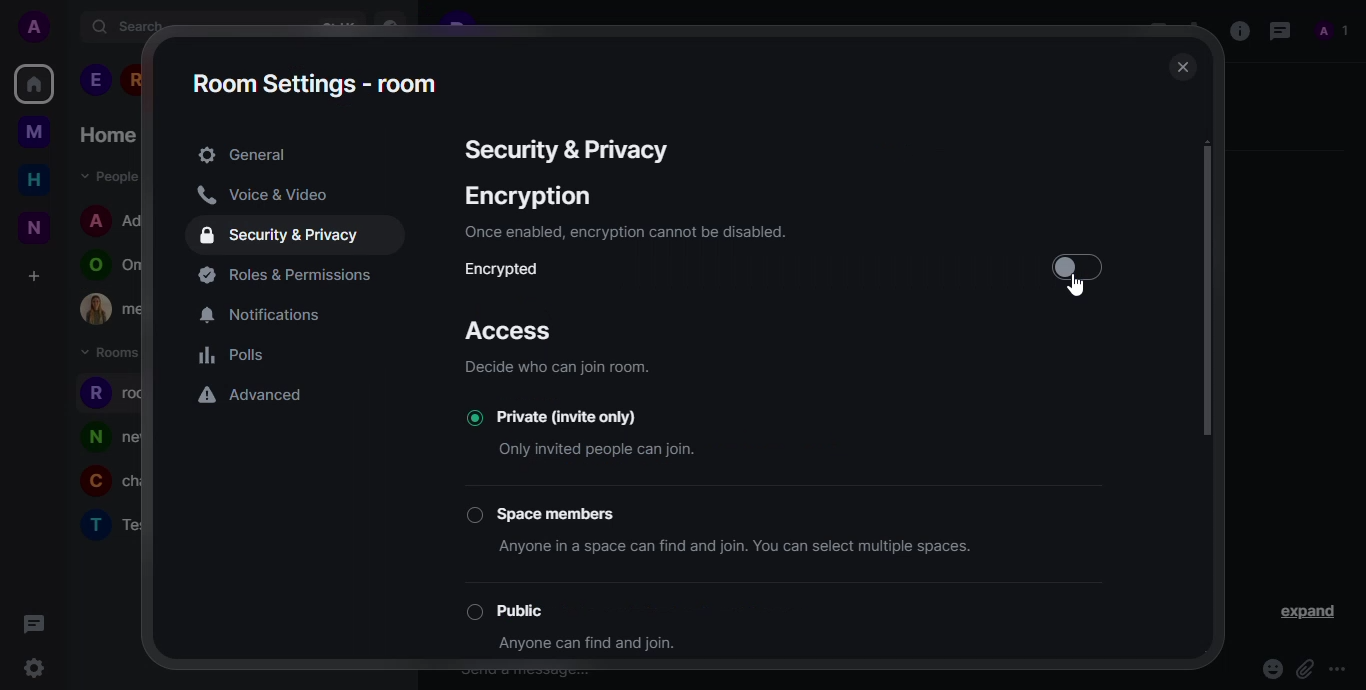  Describe the element at coordinates (1073, 268) in the screenshot. I see `enable` at that location.